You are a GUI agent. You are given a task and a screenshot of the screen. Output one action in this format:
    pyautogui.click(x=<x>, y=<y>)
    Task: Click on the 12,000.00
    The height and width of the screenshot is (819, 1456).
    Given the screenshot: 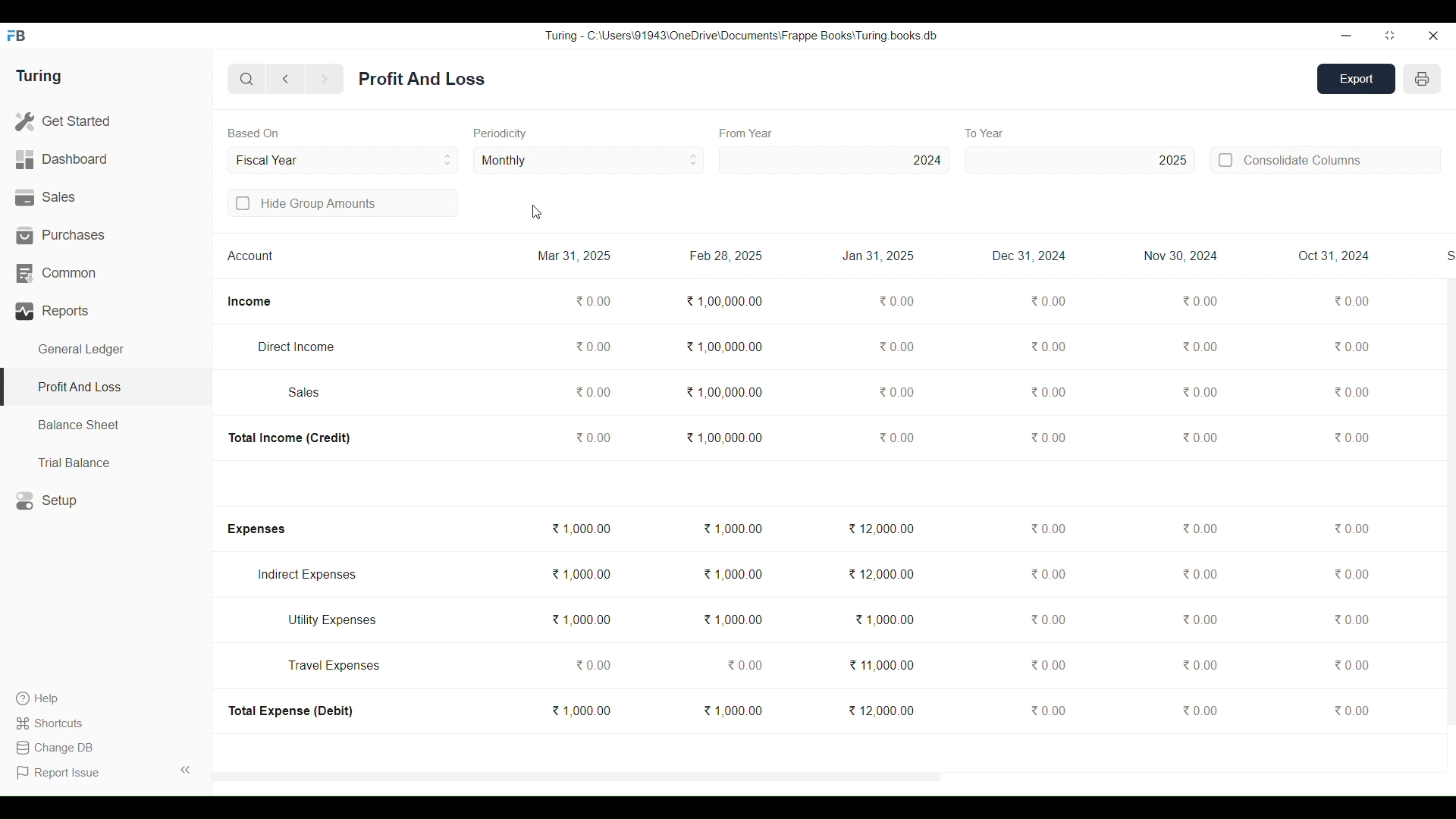 What is the action you would take?
    pyautogui.click(x=882, y=529)
    